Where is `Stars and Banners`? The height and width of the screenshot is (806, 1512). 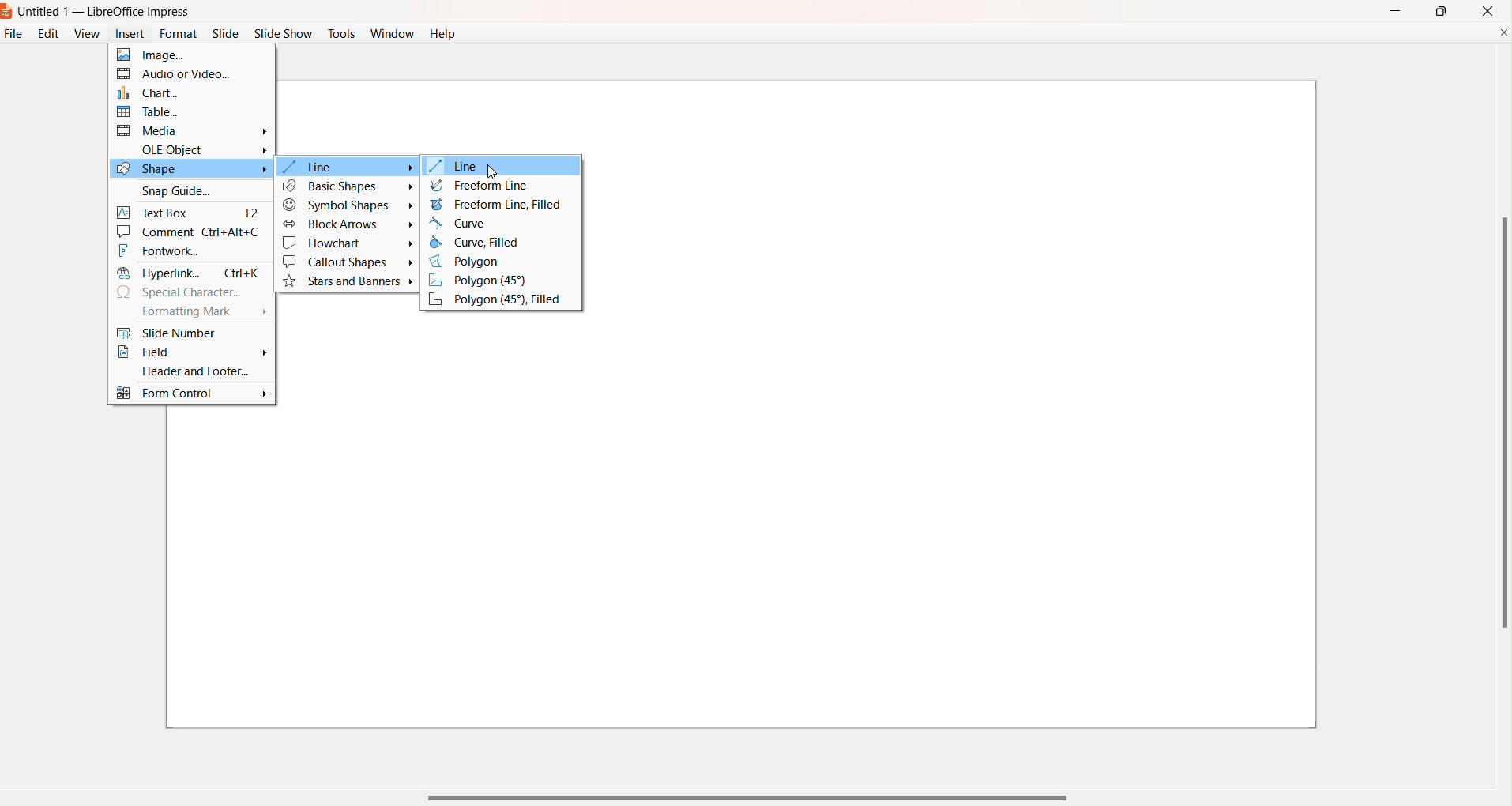 Stars and Banners is located at coordinates (351, 282).